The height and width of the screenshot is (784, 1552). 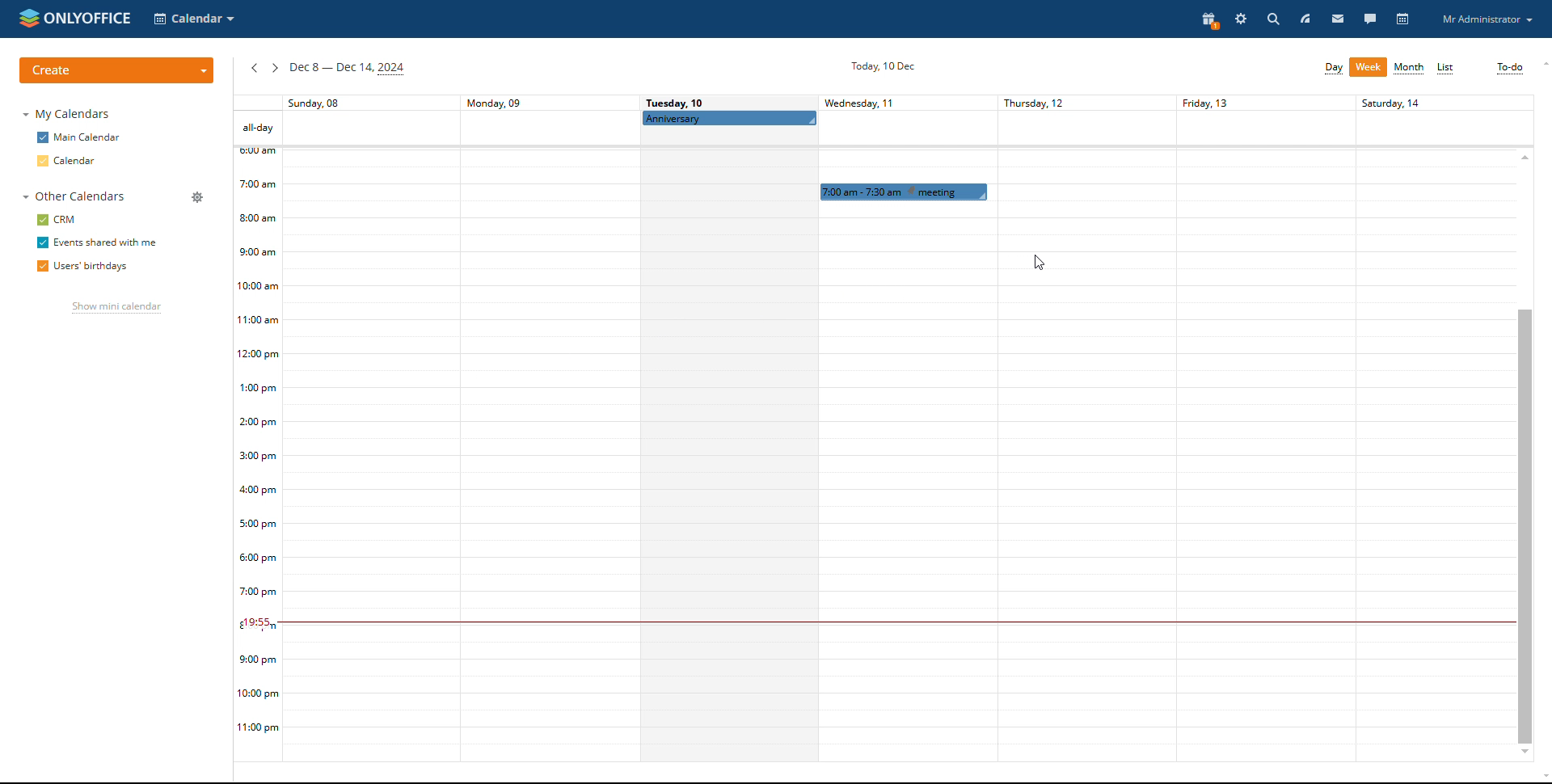 I want to click on timeline, so click(x=258, y=455).